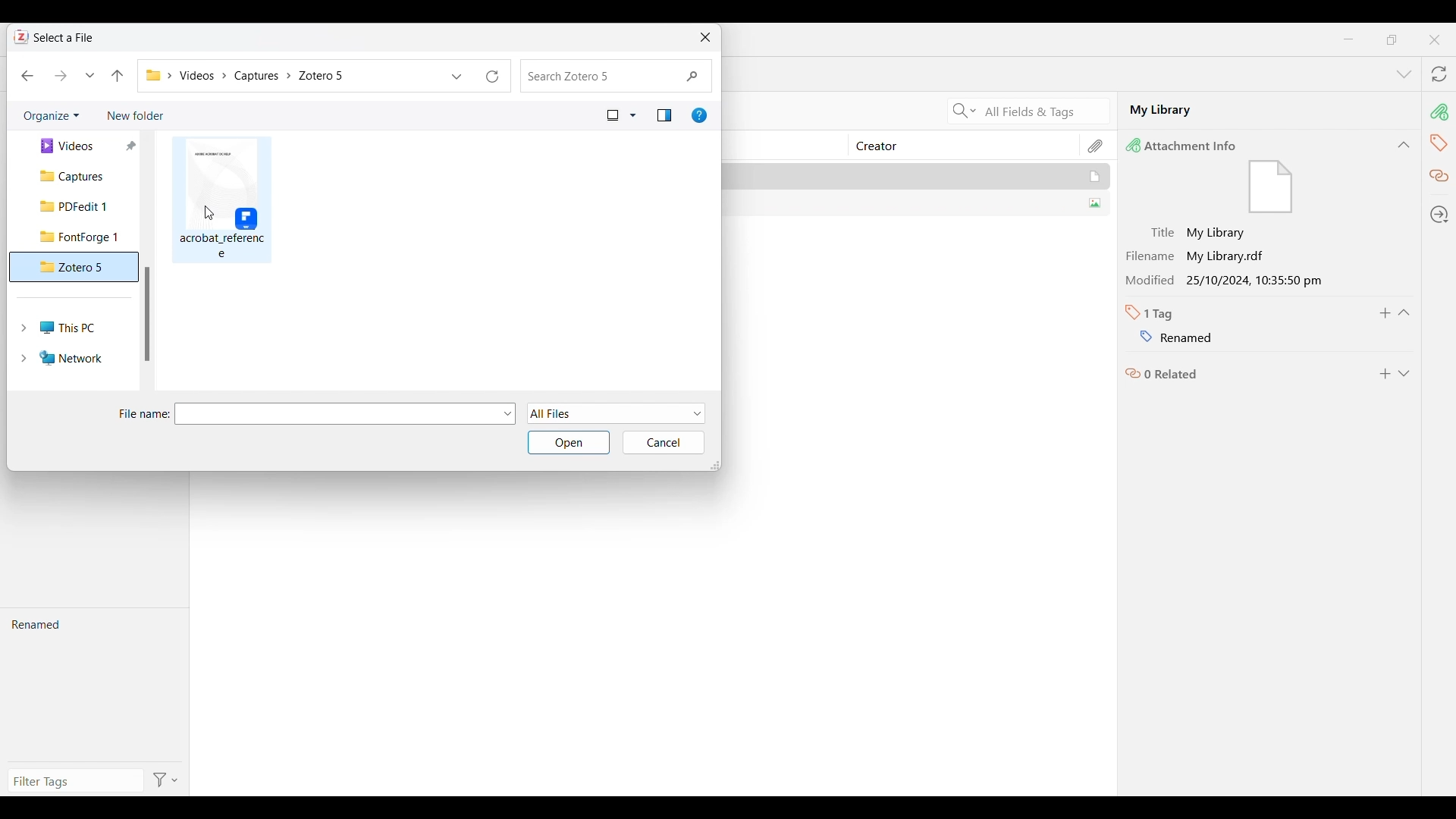  I want to click on Renamed, so click(96, 688).